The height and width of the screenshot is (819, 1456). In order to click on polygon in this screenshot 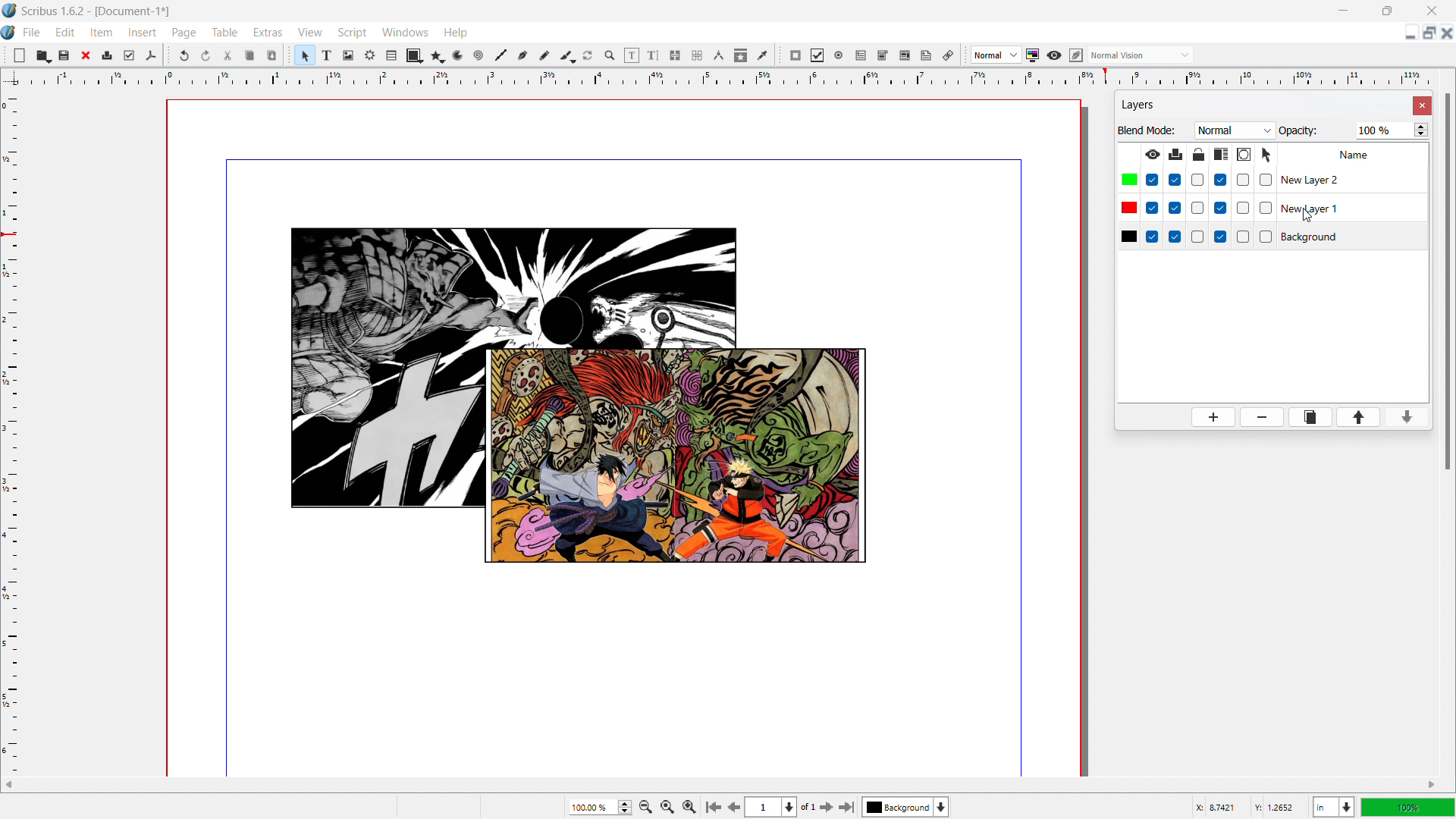, I will do `click(438, 55)`.